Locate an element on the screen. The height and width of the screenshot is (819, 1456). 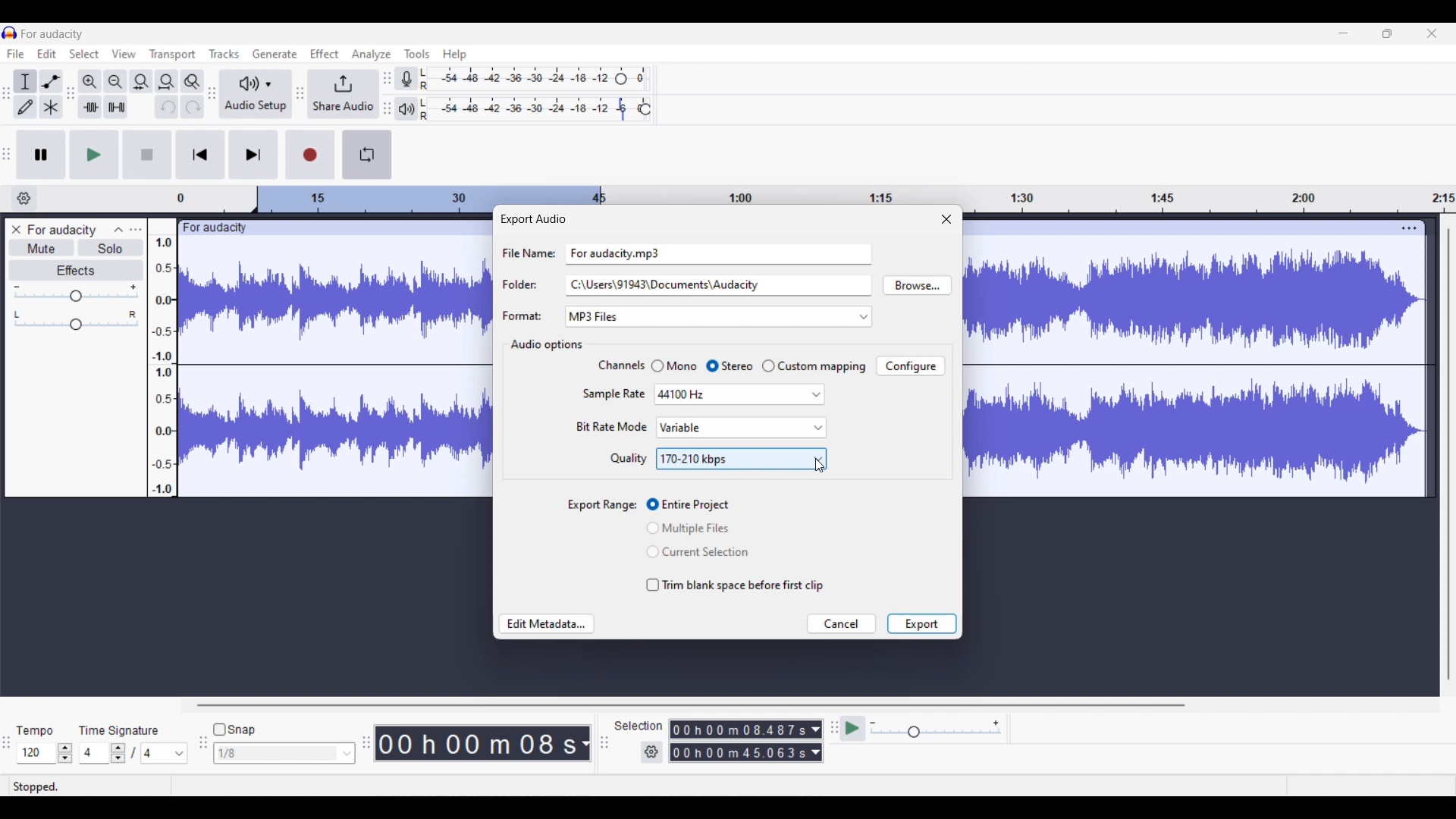
Browse folders is located at coordinates (917, 285).